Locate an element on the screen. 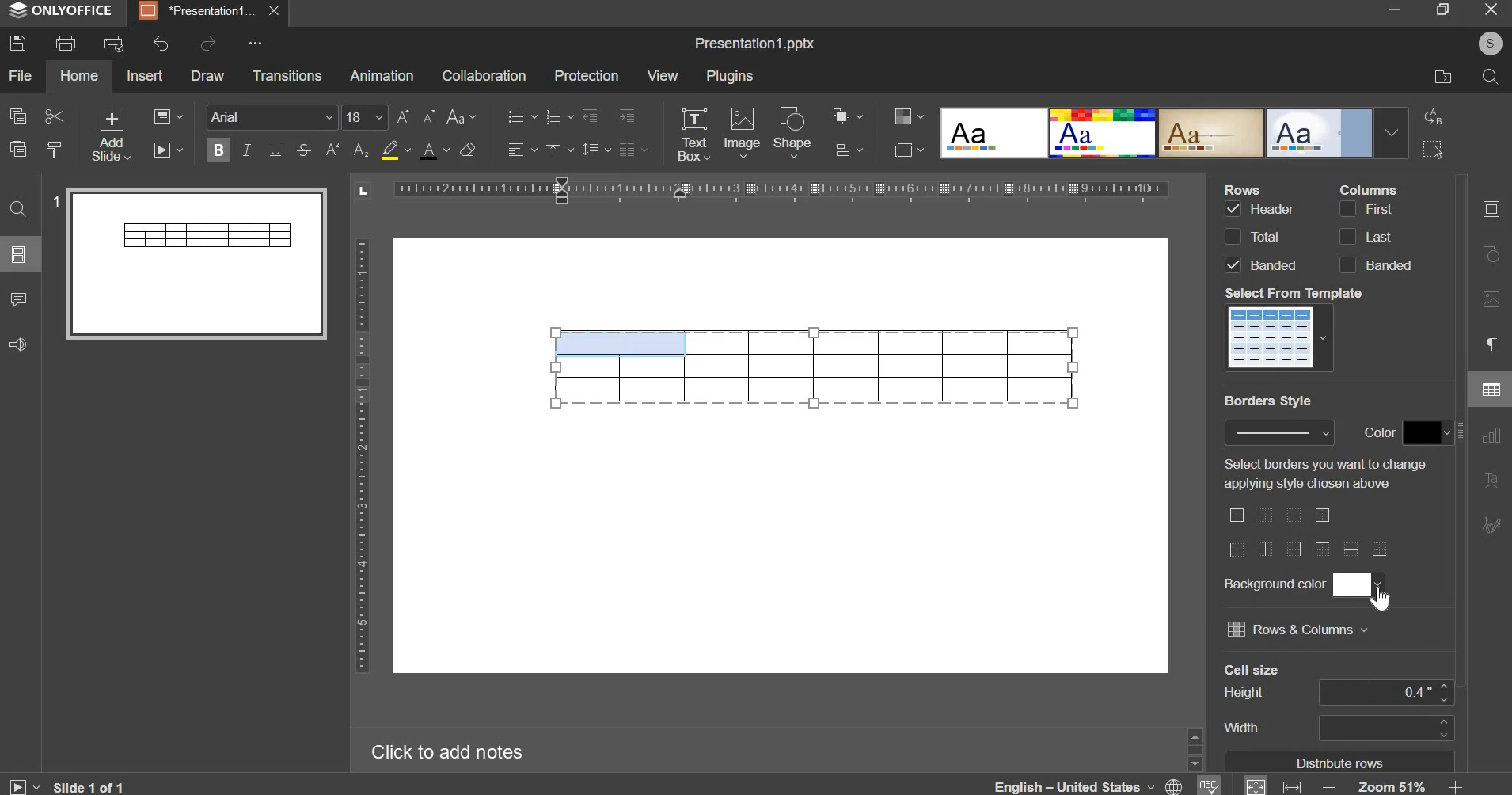  copy style is located at coordinates (56, 150).